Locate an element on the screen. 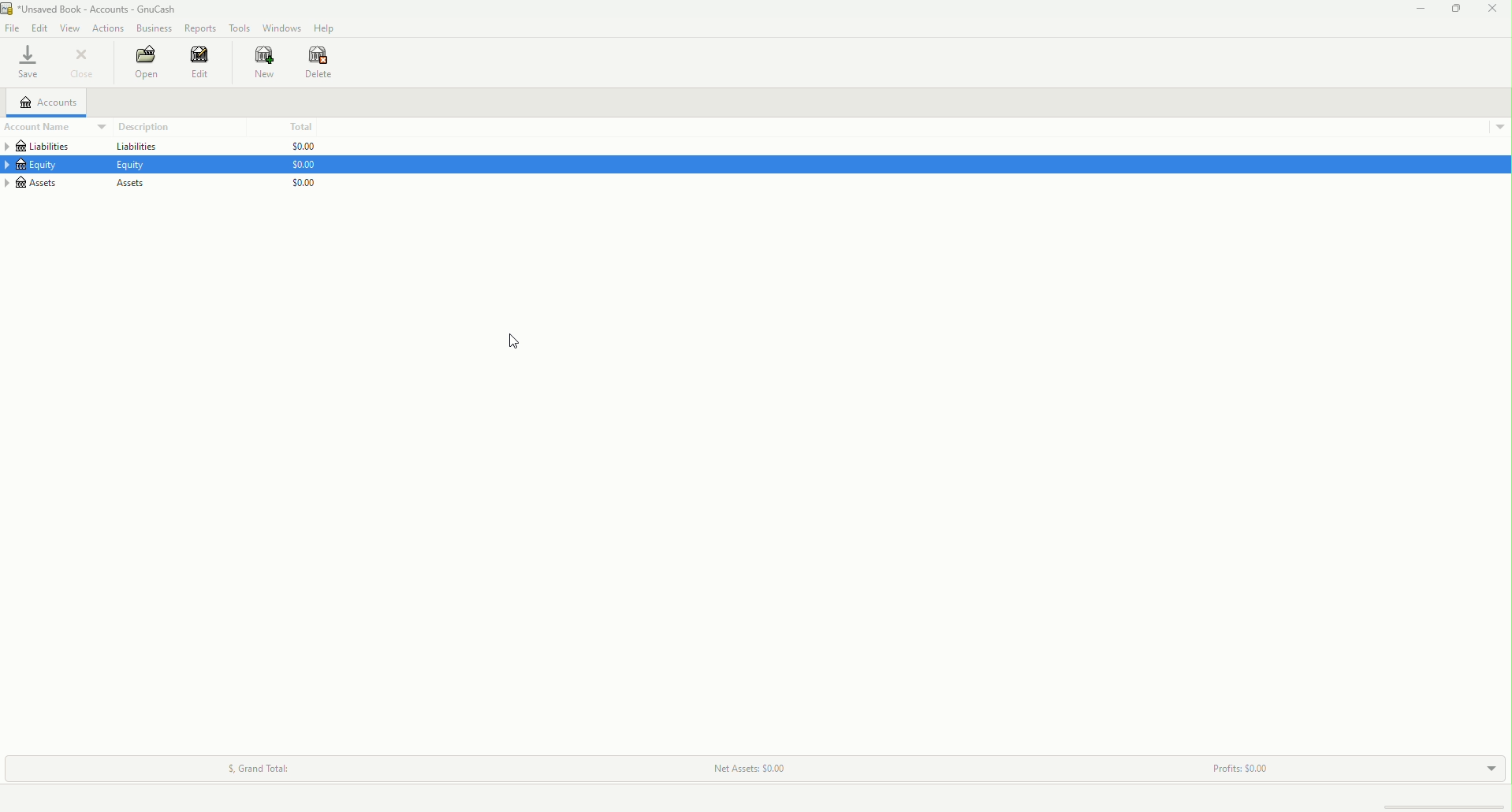  Close is located at coordinates (1494, 10).